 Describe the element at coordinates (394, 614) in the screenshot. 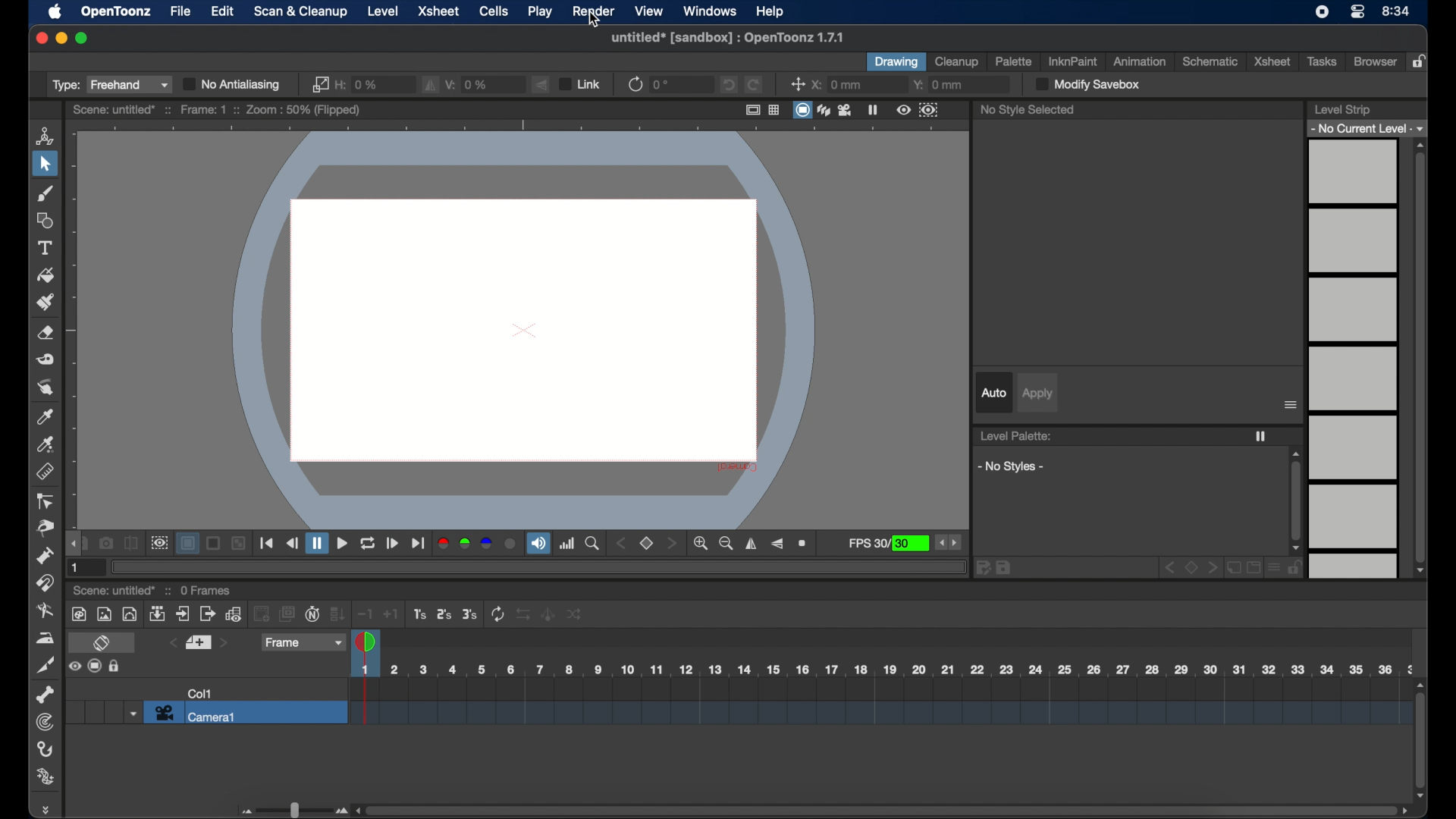

I see `` at that location.